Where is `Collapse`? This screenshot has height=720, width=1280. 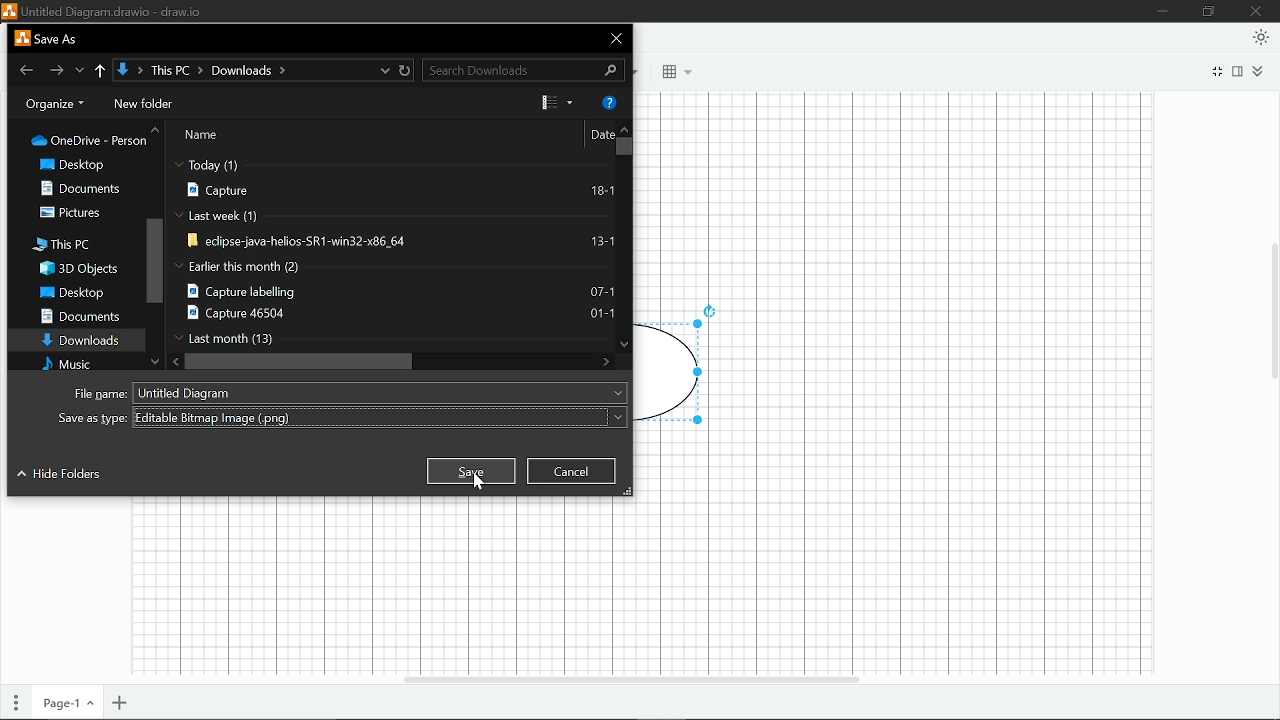
Collapse is located at coordinates (1259, 71).